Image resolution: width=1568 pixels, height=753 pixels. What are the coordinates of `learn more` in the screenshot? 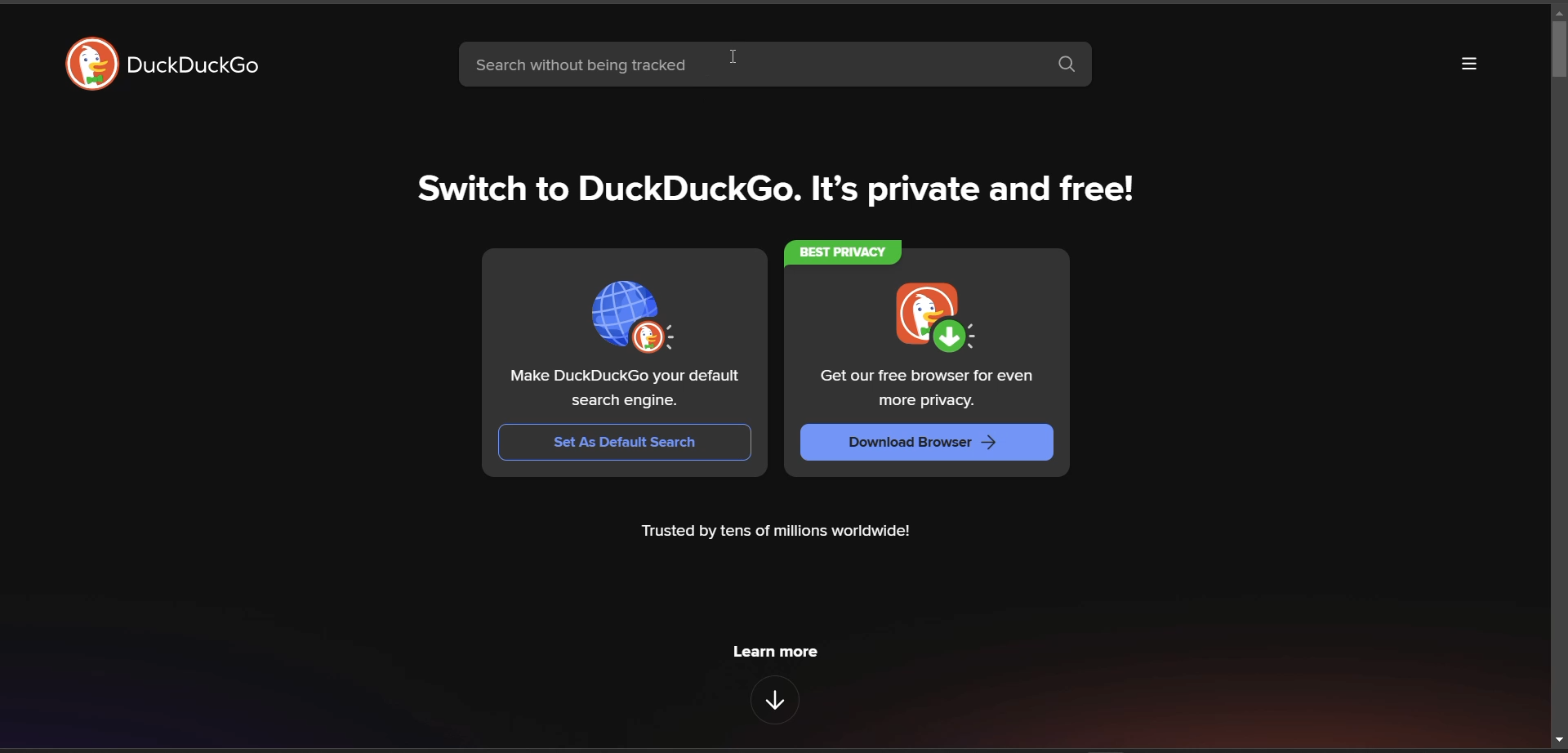 It's located at (775, 653).